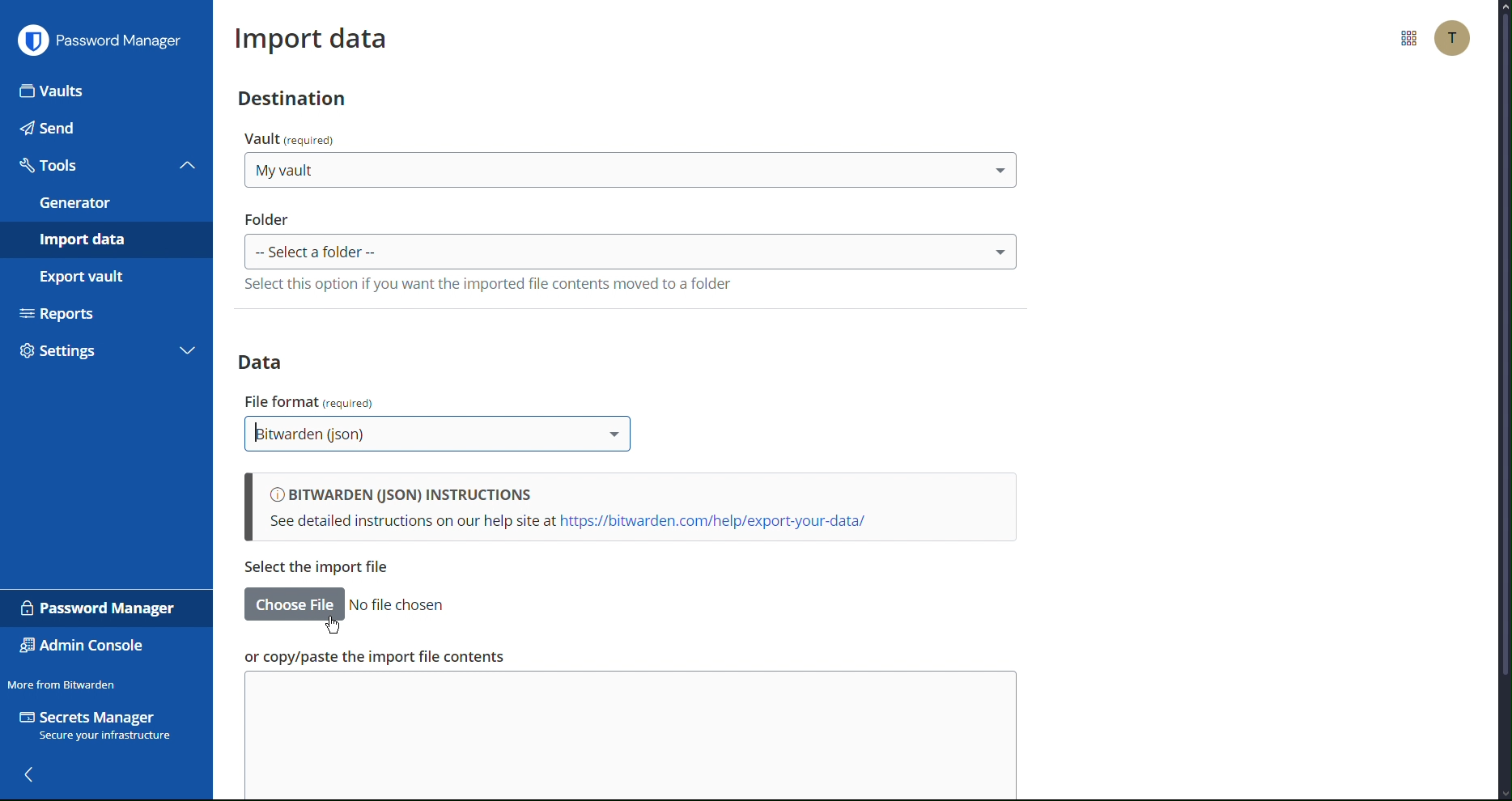  What do you see at coordinates (1406, 38) in the screenshot?
I see `More Options` at bounding box center [1406, 38].